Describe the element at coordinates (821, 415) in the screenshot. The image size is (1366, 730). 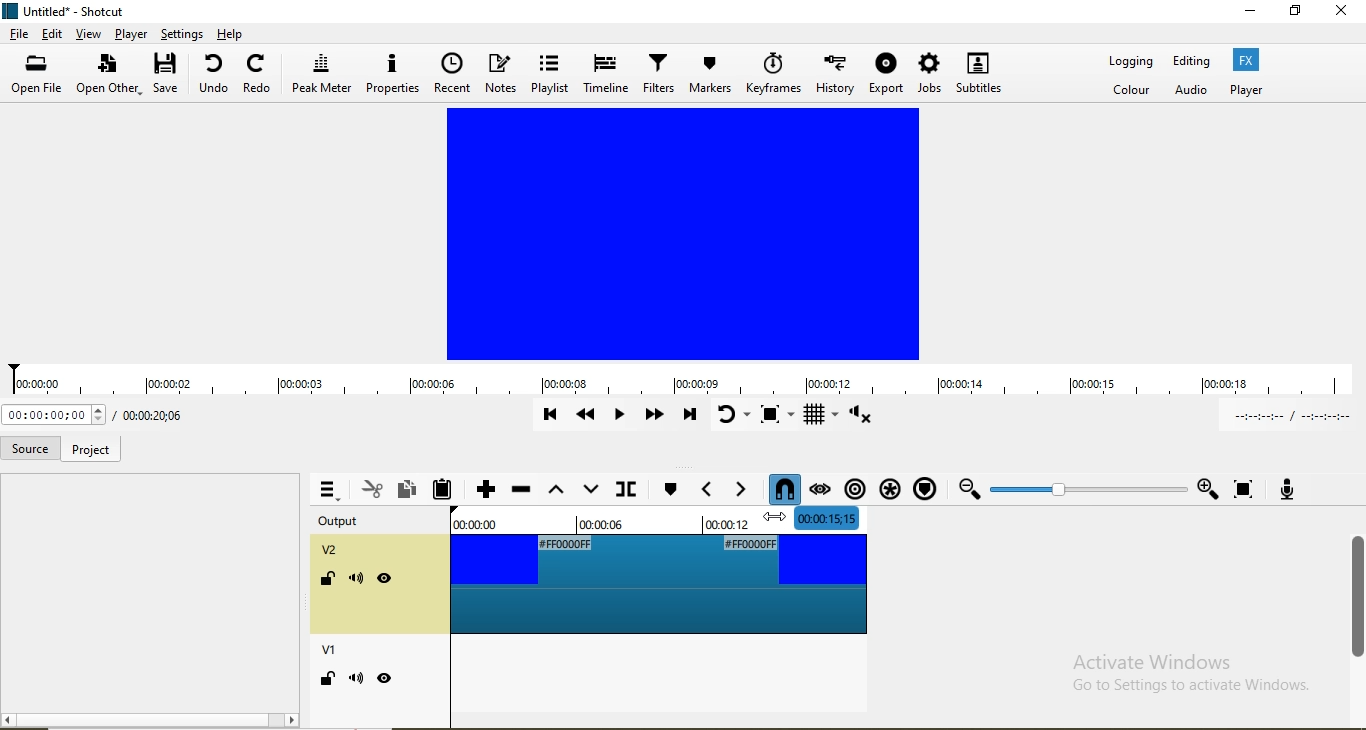
I see `Toggle grid display ` at that location.